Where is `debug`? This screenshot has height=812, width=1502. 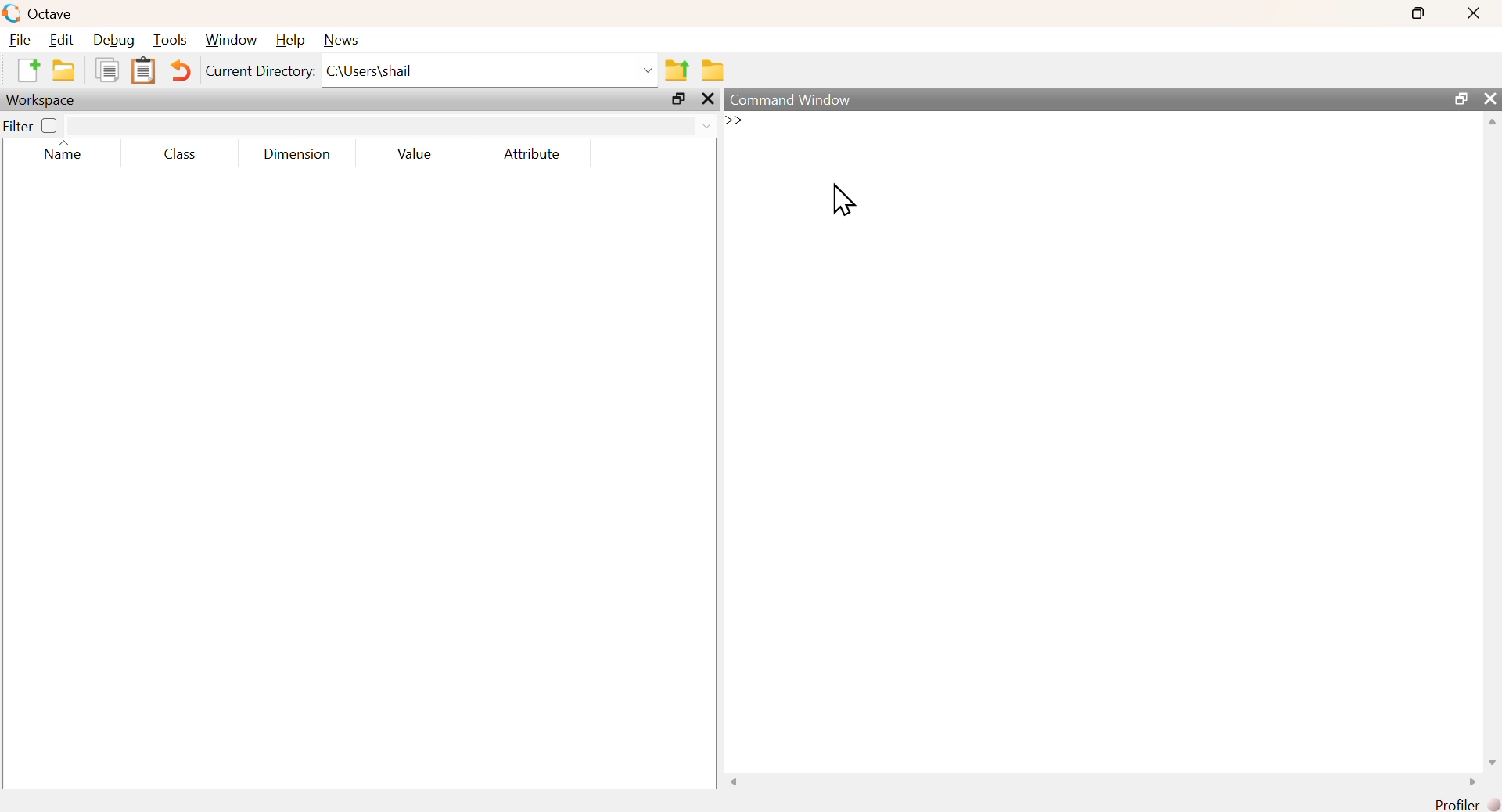 debug is located at coordinates (113, 41).